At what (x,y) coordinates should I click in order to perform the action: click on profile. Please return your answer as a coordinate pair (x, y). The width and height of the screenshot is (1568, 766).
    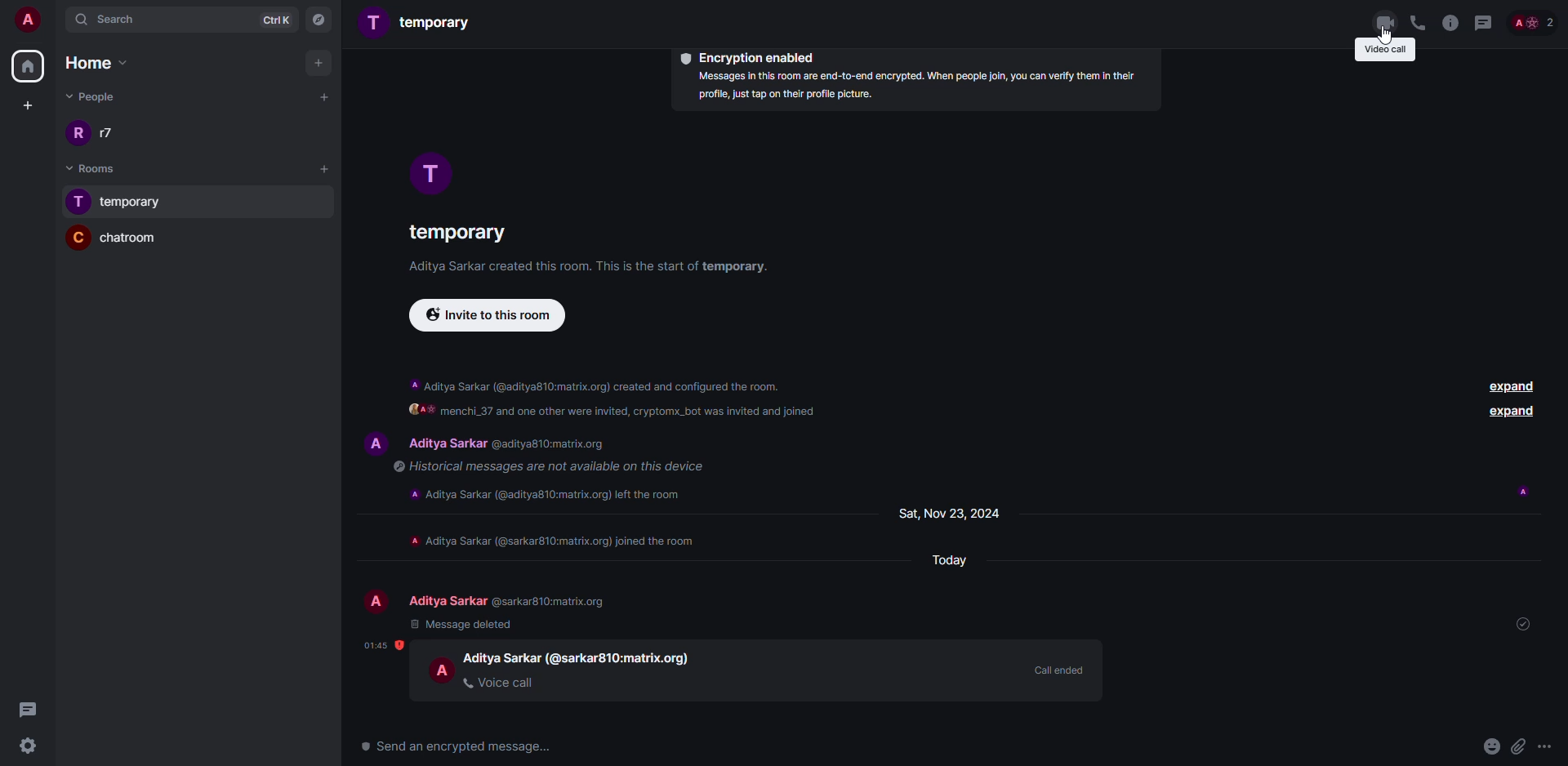
    Looking at the image, I should click on (440, 670).